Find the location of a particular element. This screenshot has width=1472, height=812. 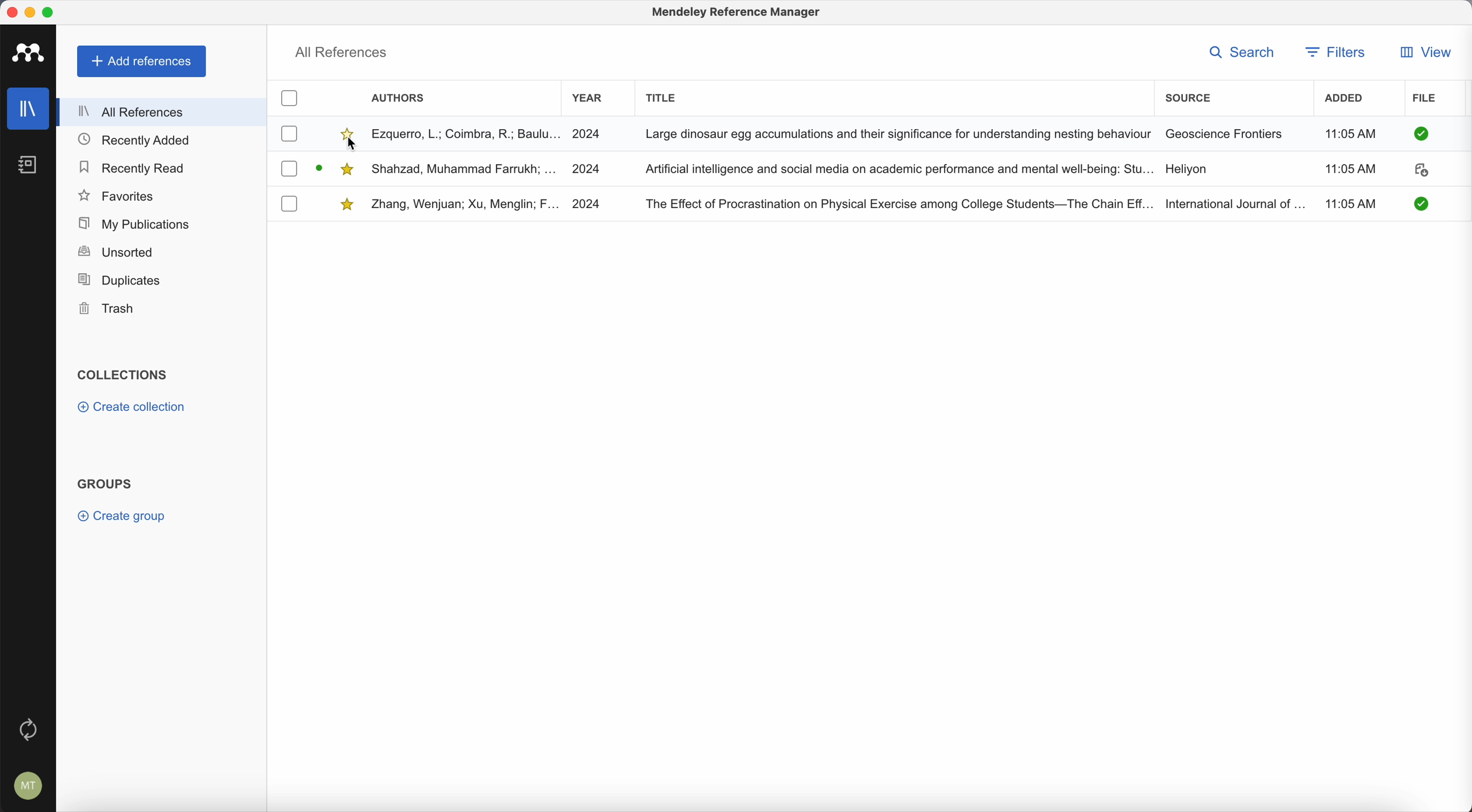

create group is located at coordinates (125, 516).